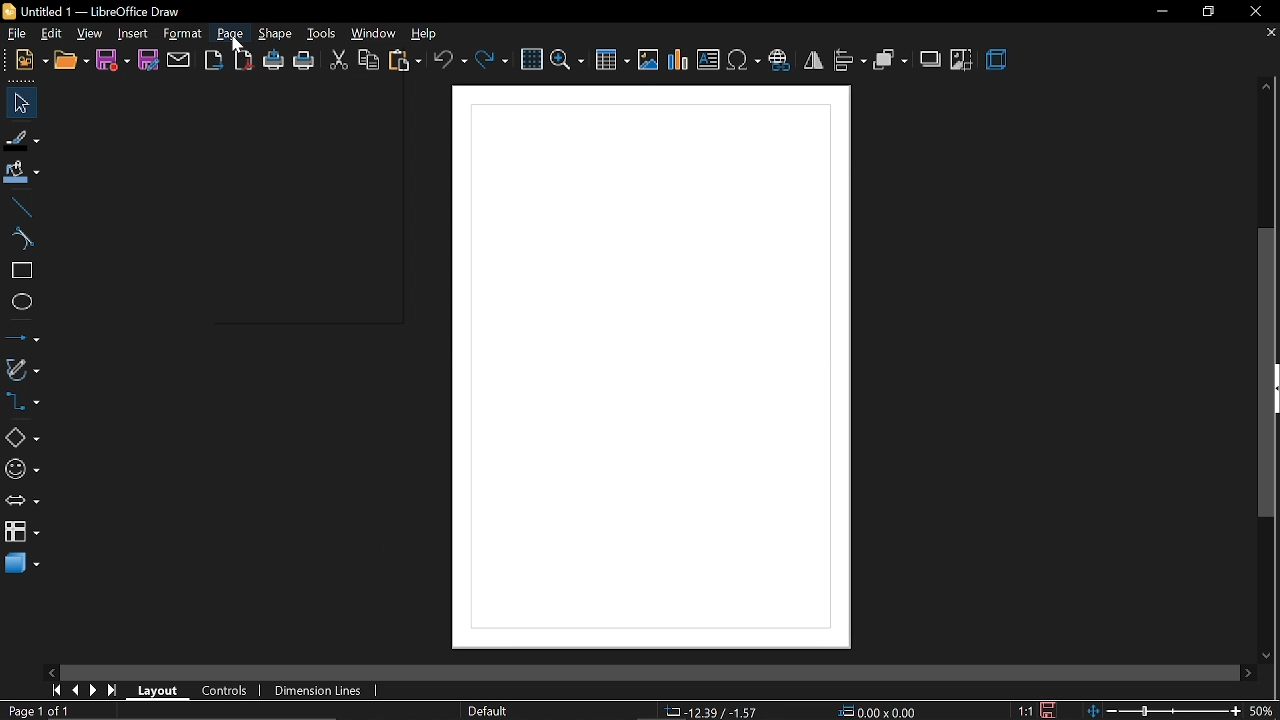 The image size is (1280, 720). What do you see at coordinates (230, 34) in the screenshot?
I see `page` at bounding box center [230, 34].